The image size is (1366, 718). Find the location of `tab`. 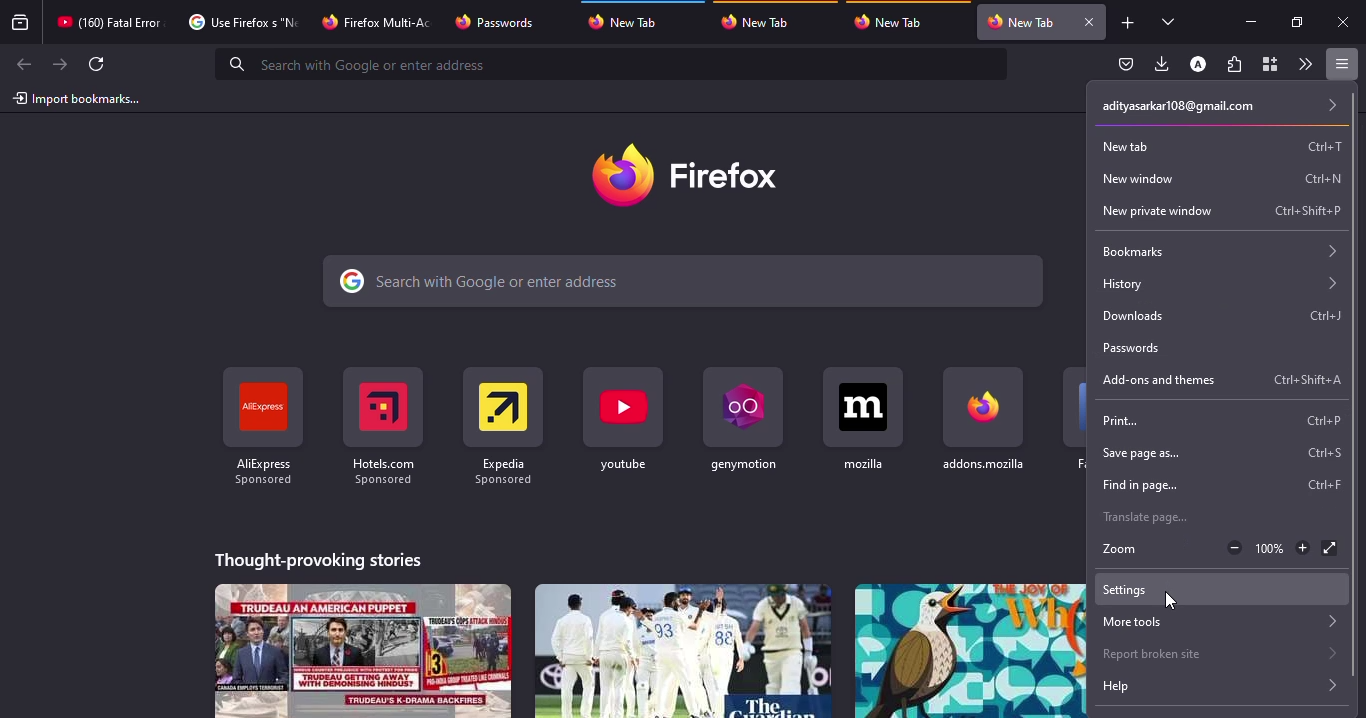

tab is located at coordinates (761, 21).